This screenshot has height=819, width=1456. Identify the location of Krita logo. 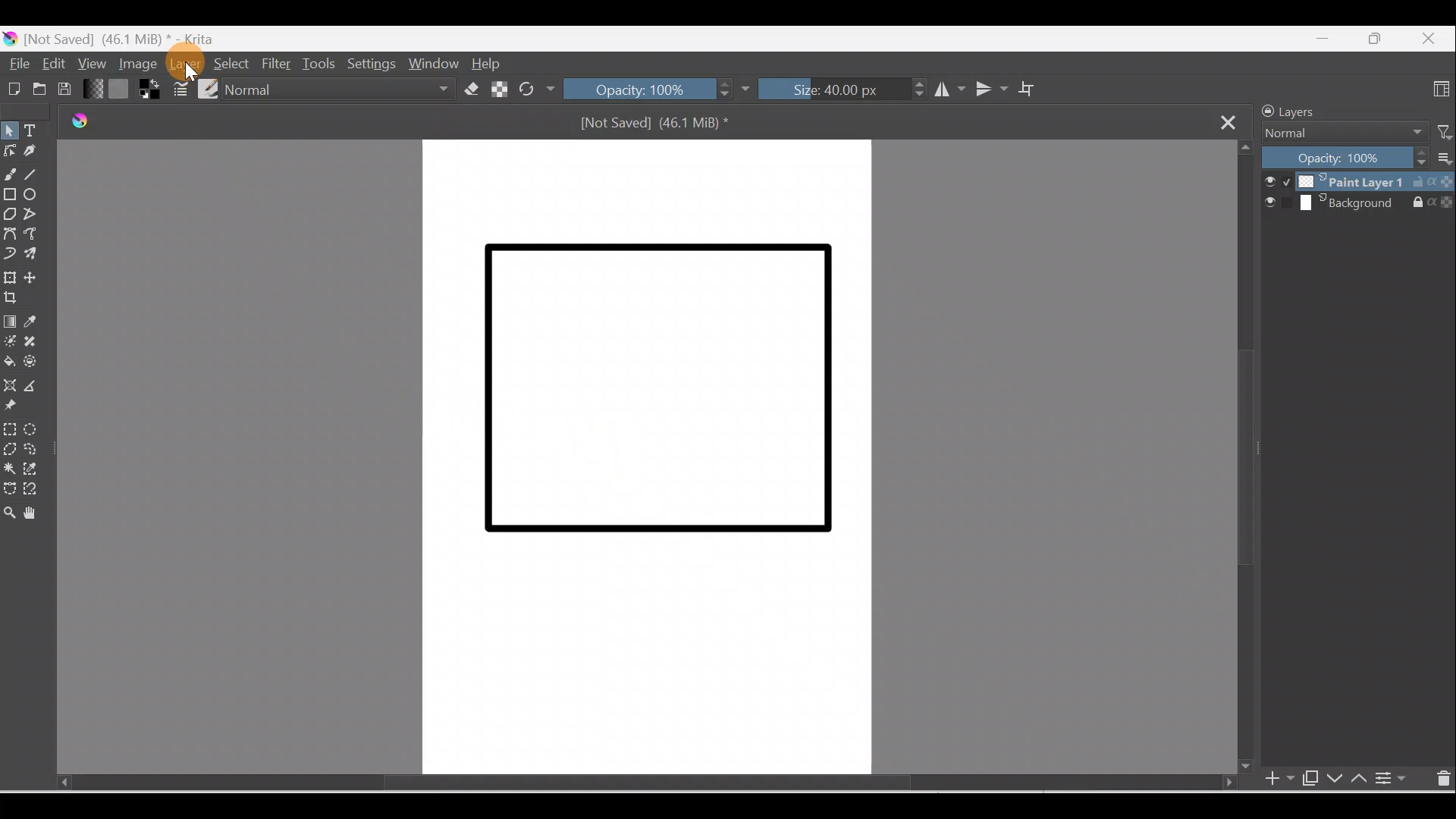
(9, 39).